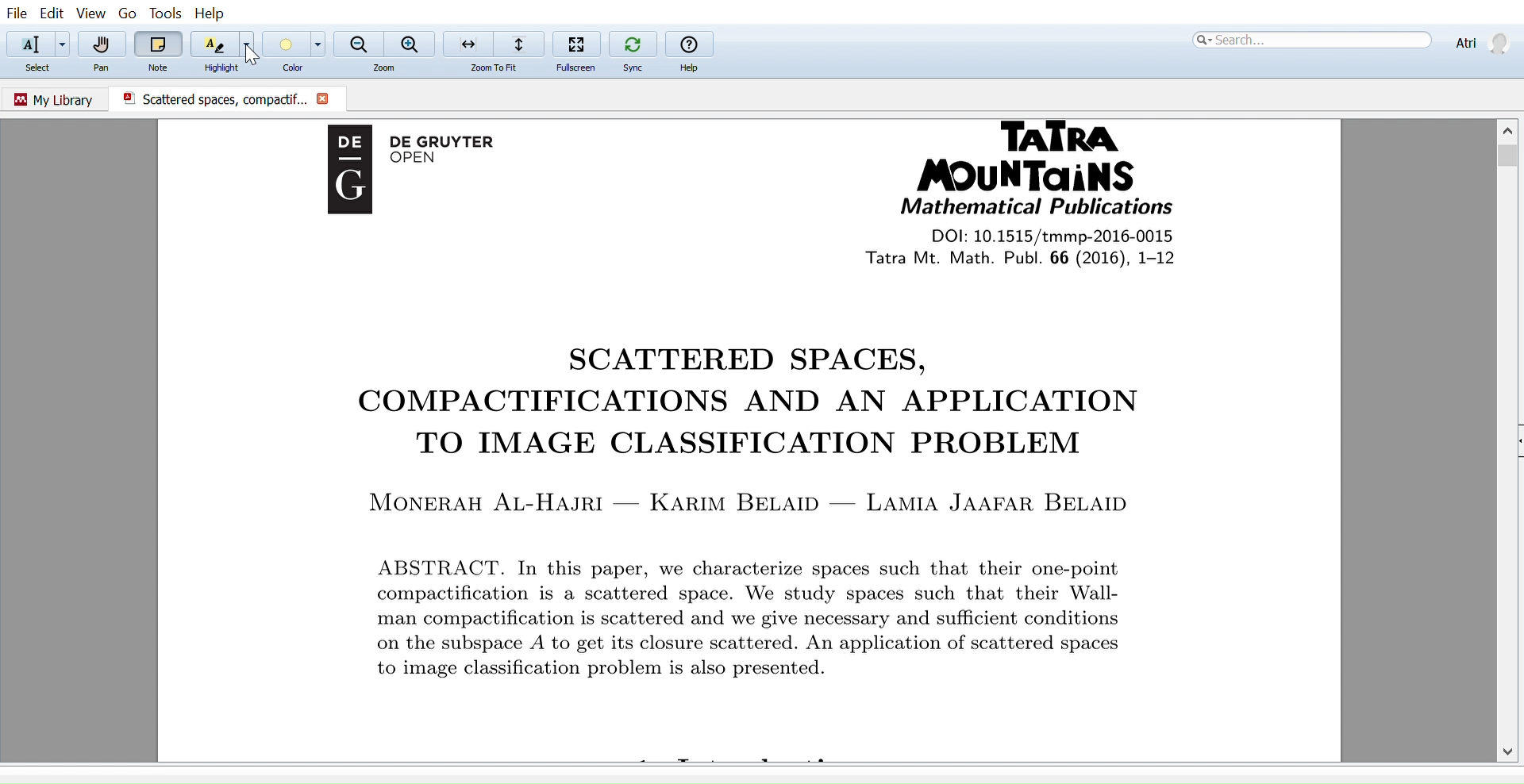  I want to click on Highlight options, so click(250, 44).